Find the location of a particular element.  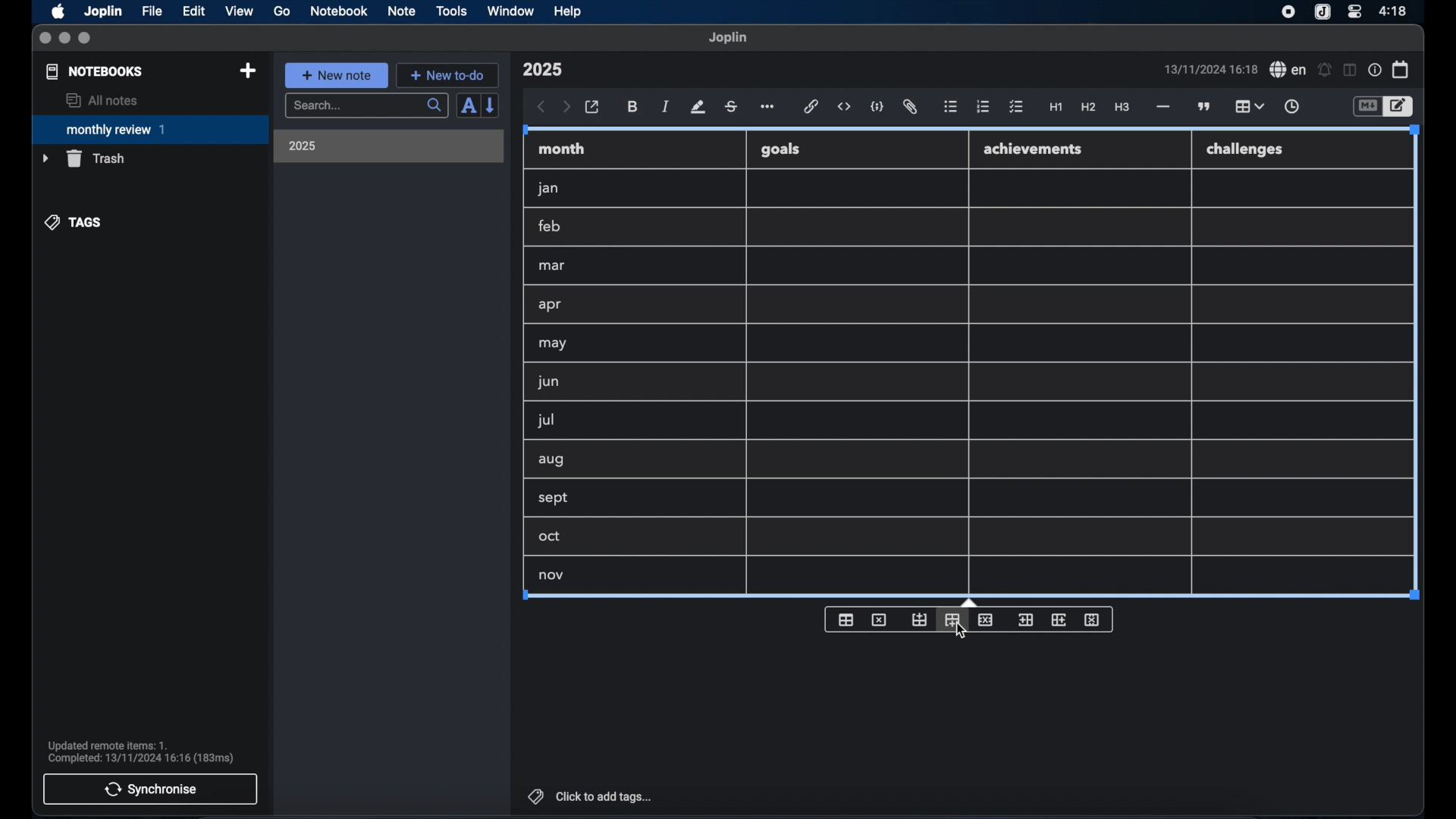

minimize is located at coordinates (64, 39).